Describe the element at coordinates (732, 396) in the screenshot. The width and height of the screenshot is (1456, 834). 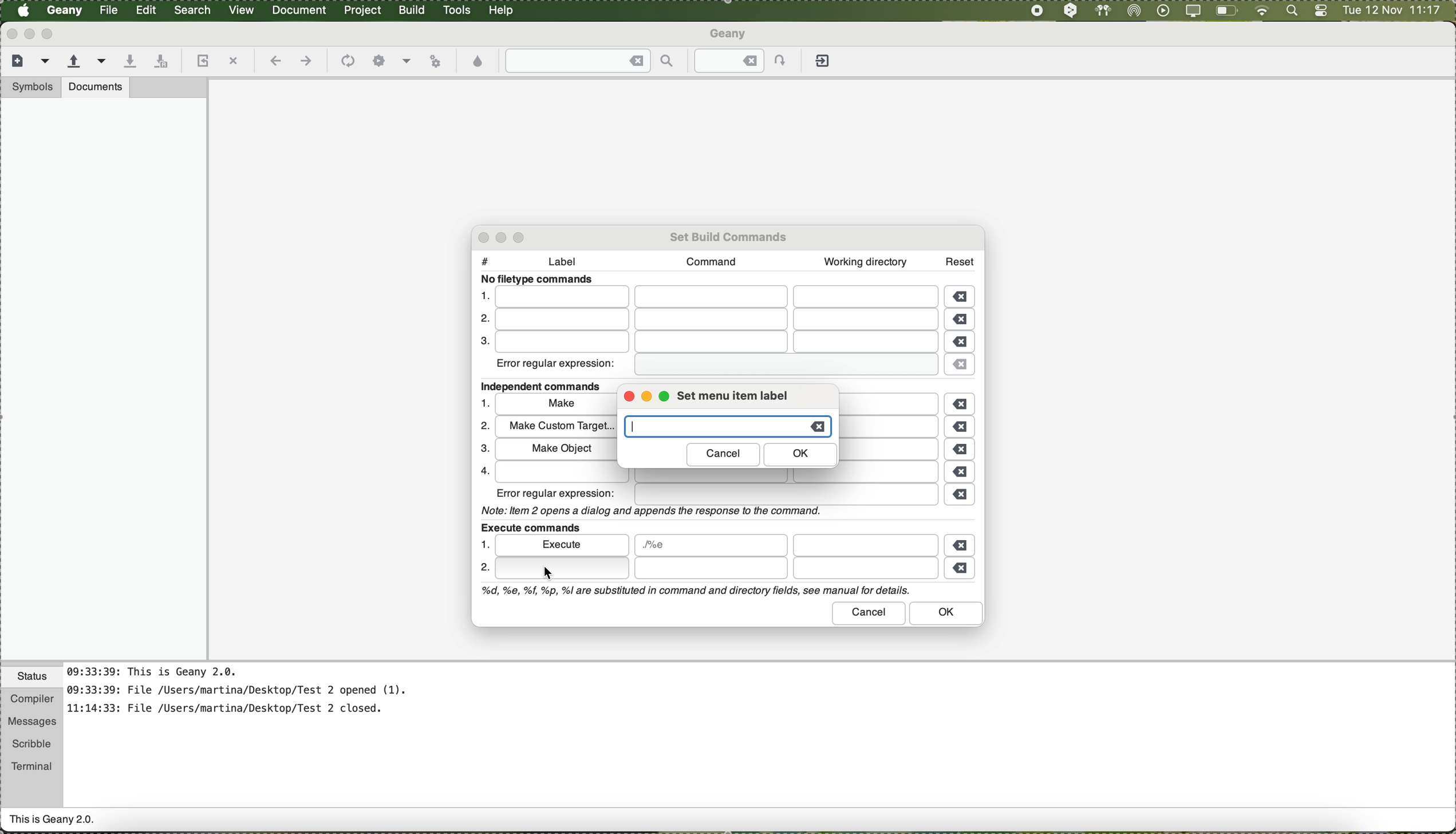
I see `set menu item label` at that location.